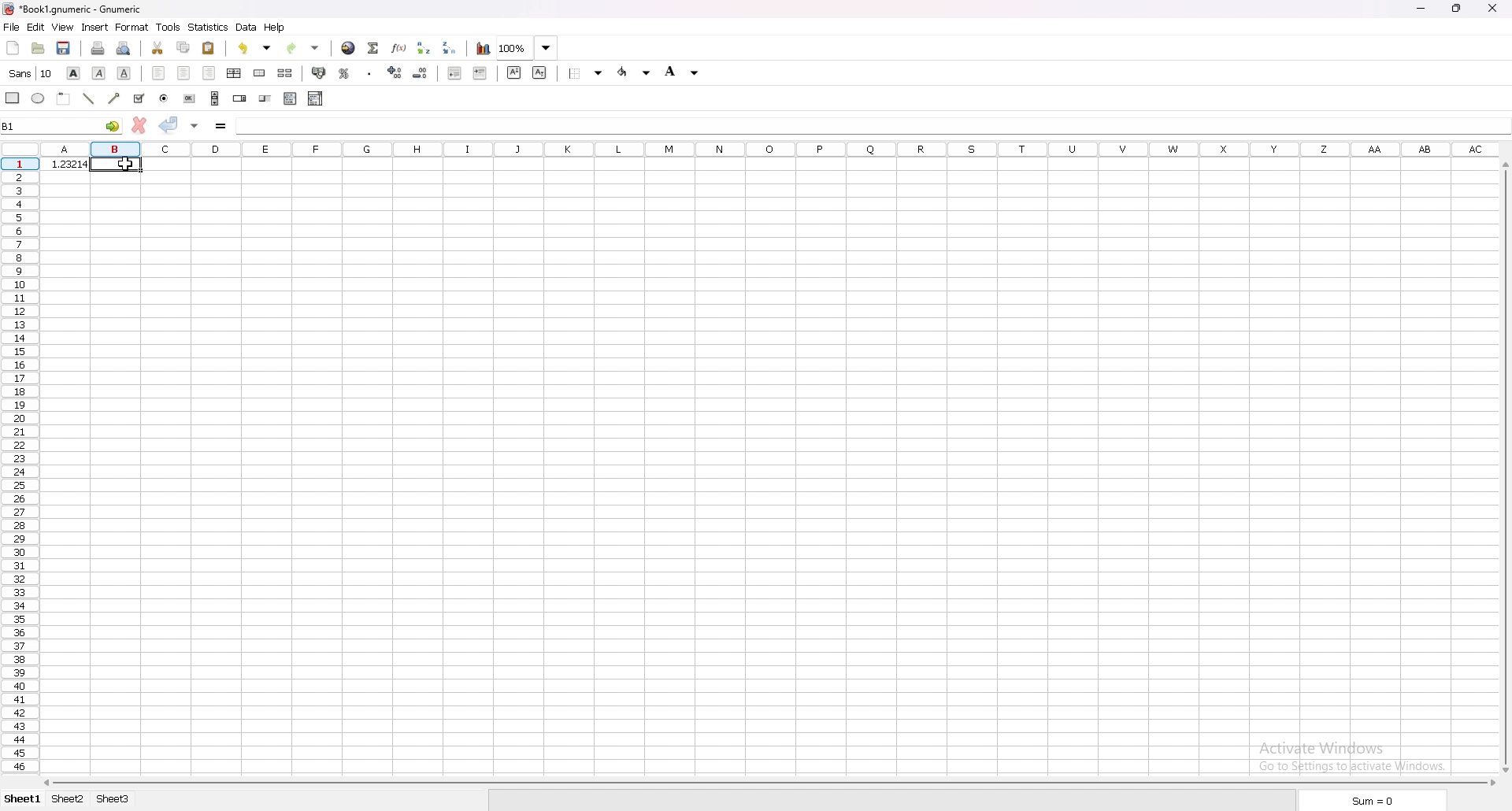 The image size is (1512, 811). I want to click on italic, so click(99, 72).